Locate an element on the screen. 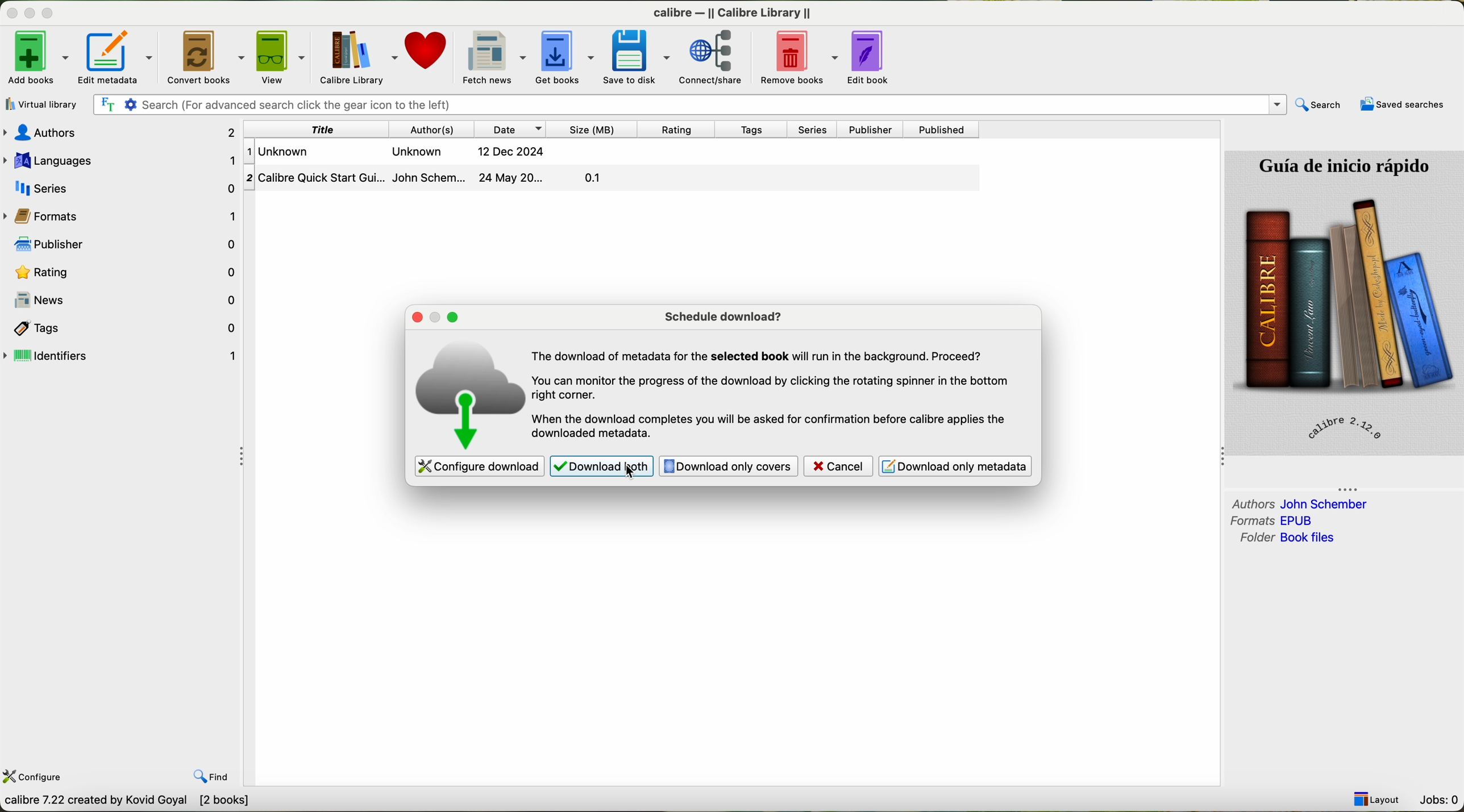  Calibre library is located at coordinates (360, 55).